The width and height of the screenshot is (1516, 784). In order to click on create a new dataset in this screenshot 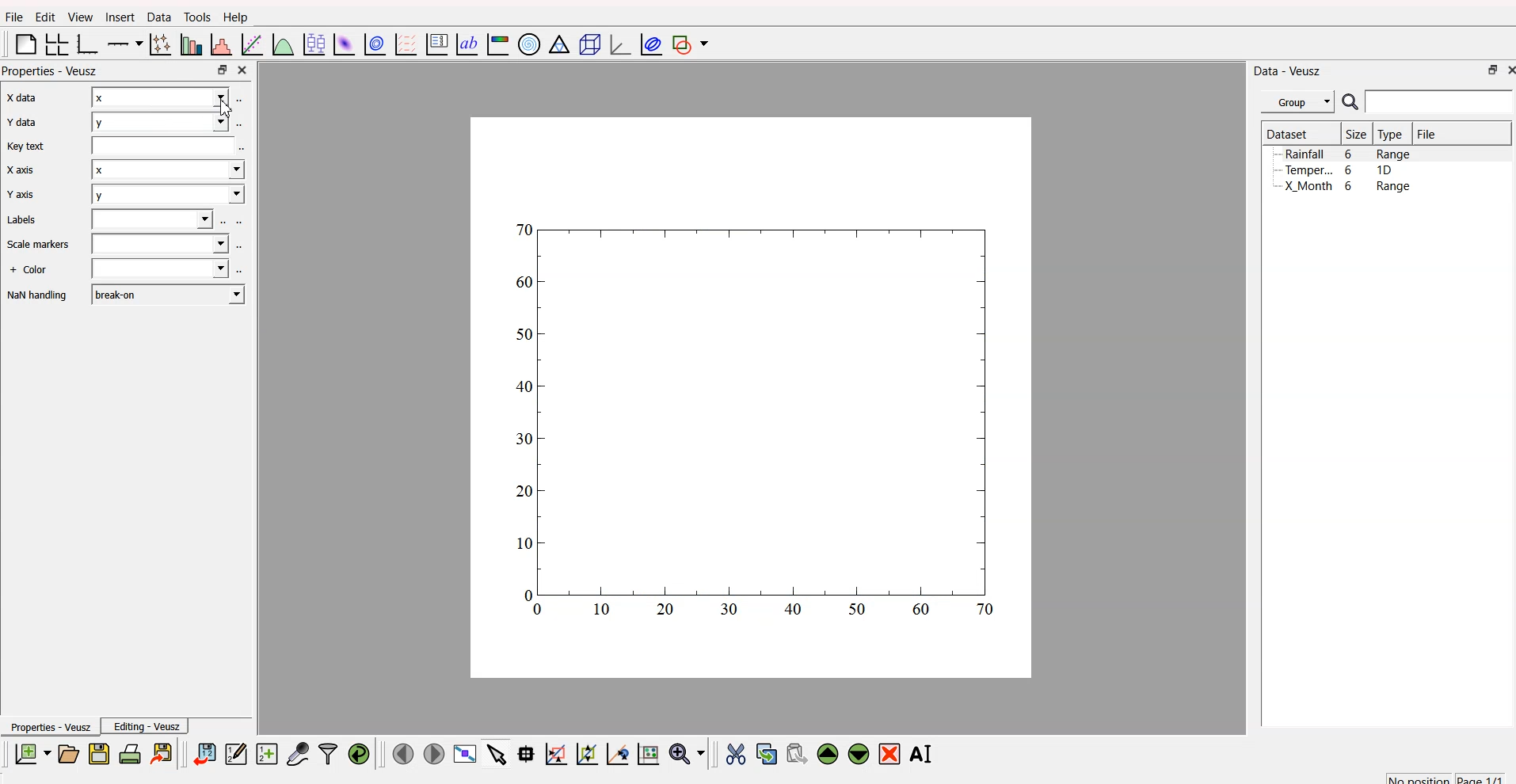, I will do `click(266, 753)`.